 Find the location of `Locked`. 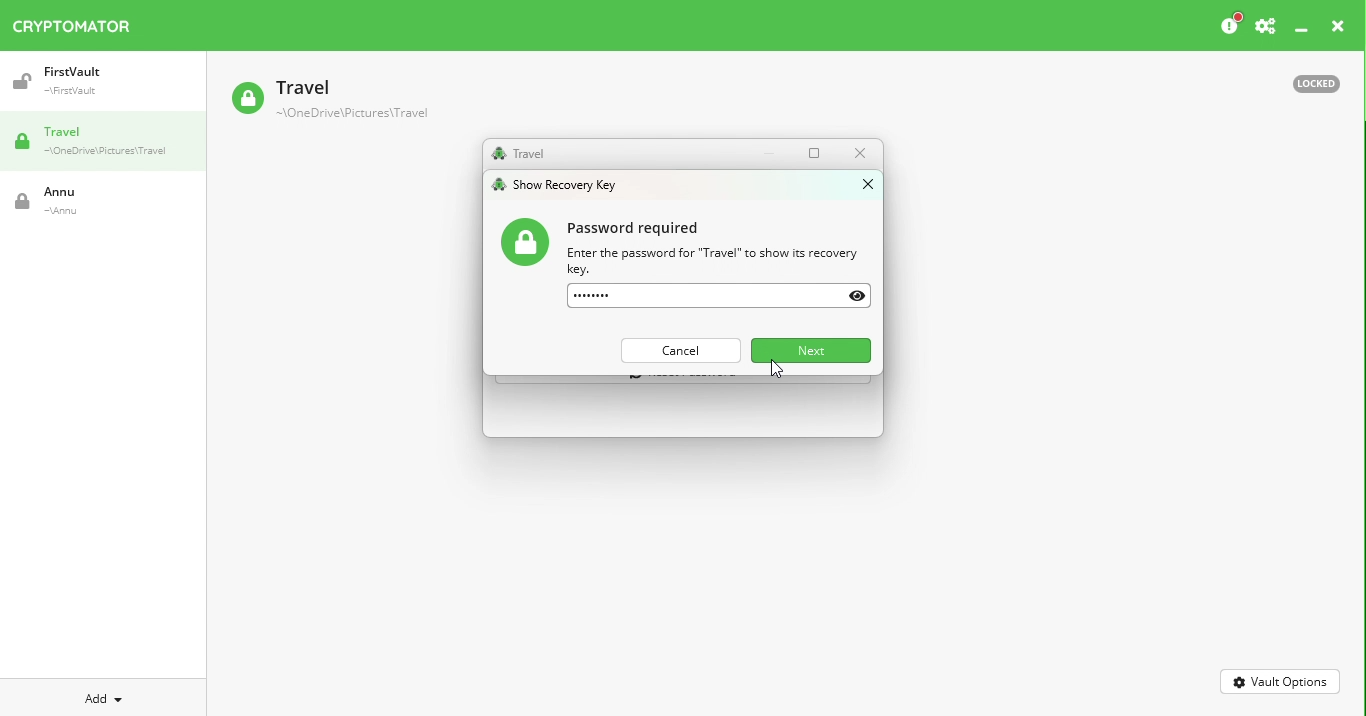

Locked is located at coordinates (1307, 82).